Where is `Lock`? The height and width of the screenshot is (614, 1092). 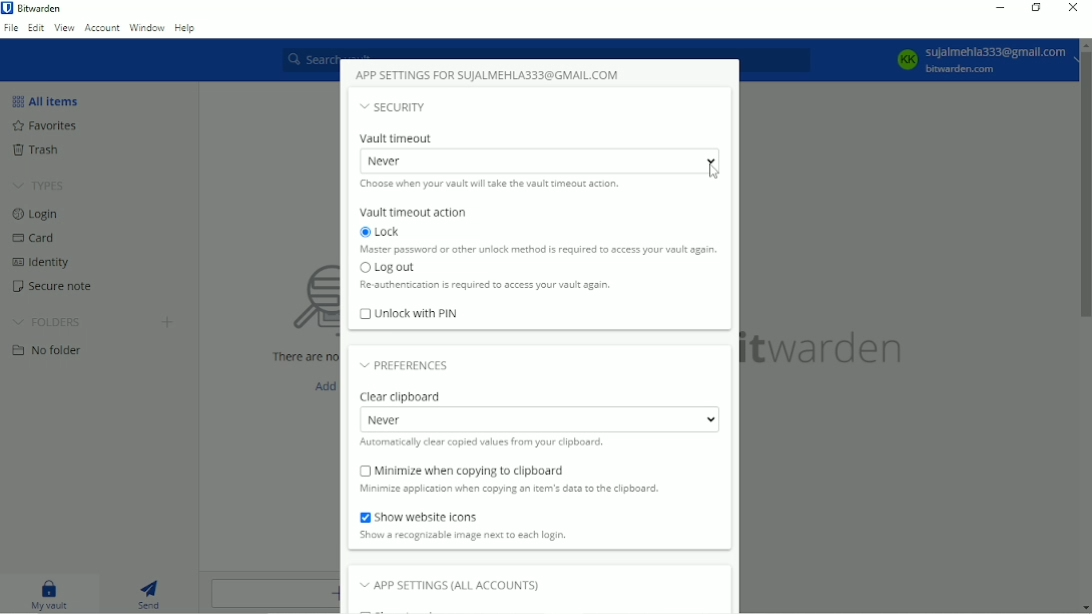
Lock is located at coordinates (378, 231).